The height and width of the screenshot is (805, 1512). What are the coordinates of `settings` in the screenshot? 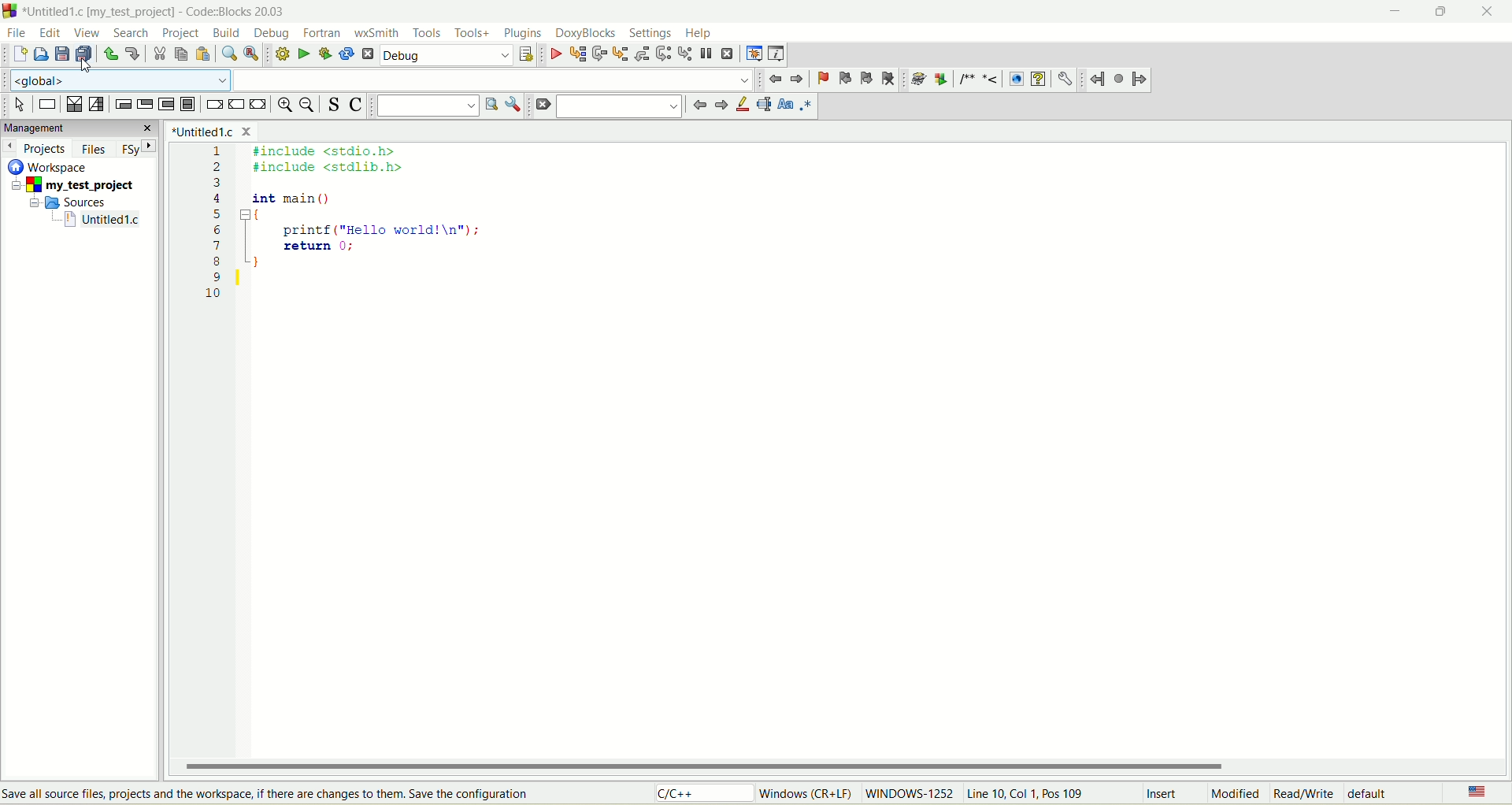 It's located at (653, 33).